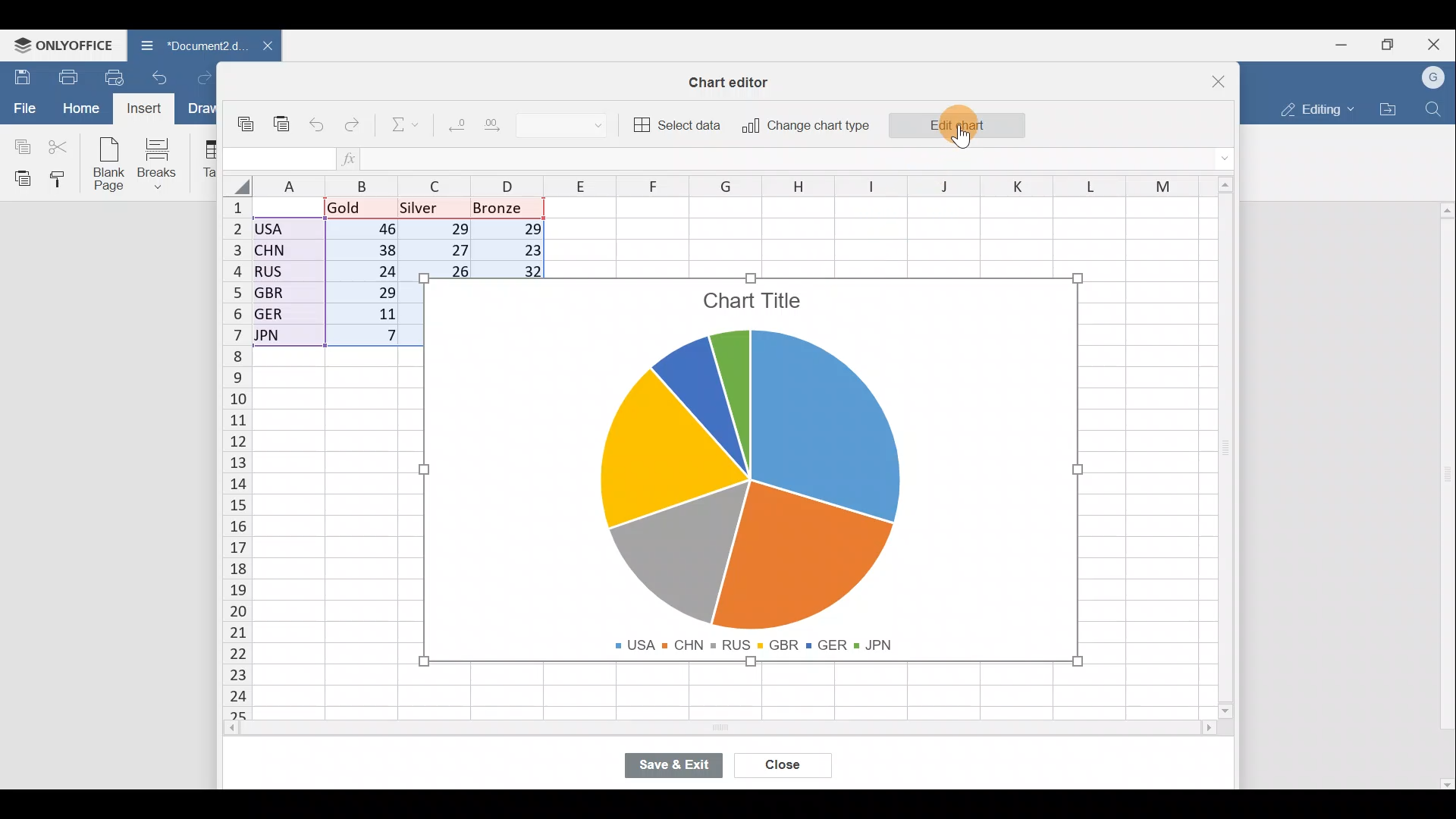  I want to click on Save & exit, so click(674, 767).